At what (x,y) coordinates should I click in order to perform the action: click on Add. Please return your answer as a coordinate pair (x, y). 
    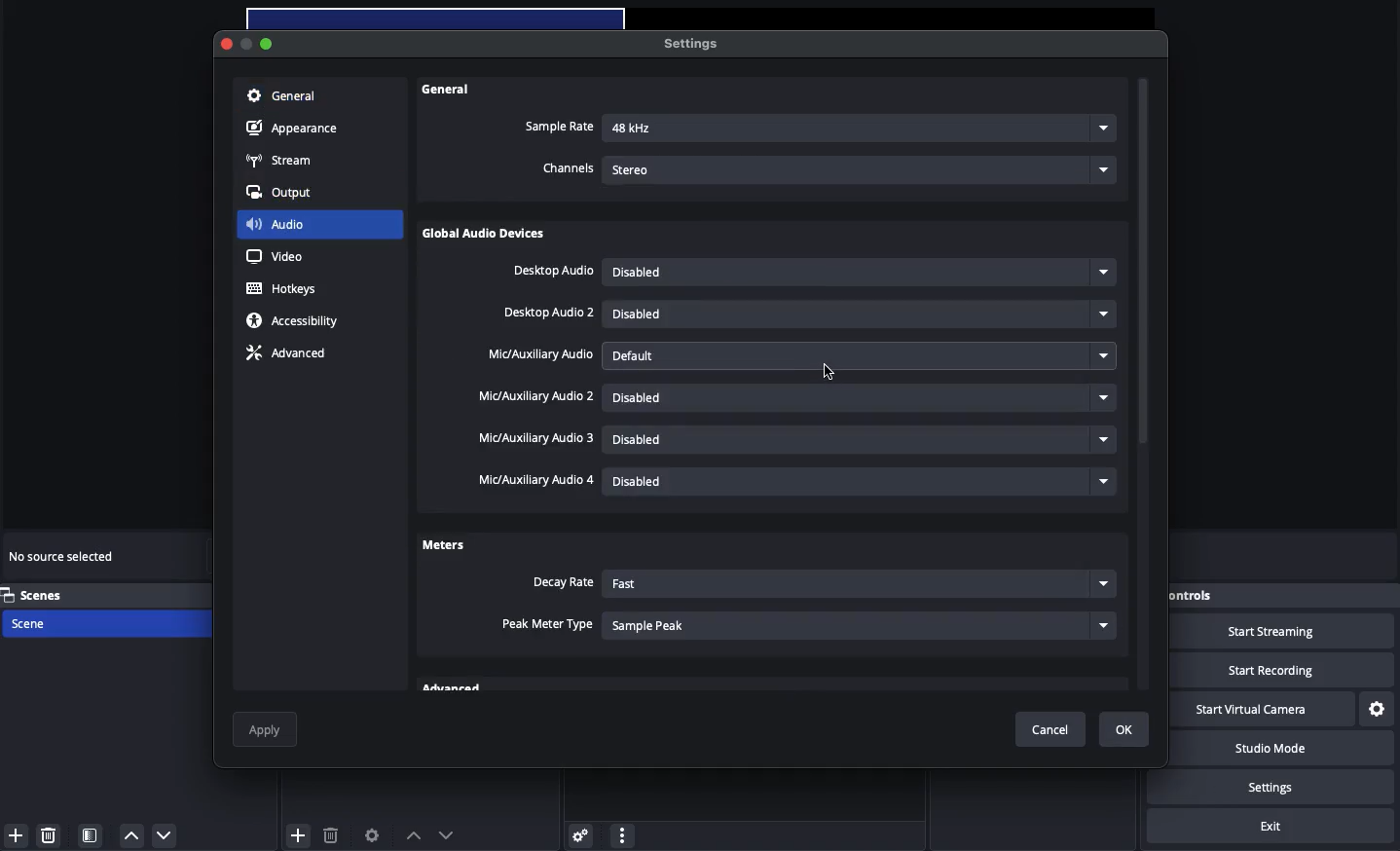
    Looking at the image, I should click on (16, 835).